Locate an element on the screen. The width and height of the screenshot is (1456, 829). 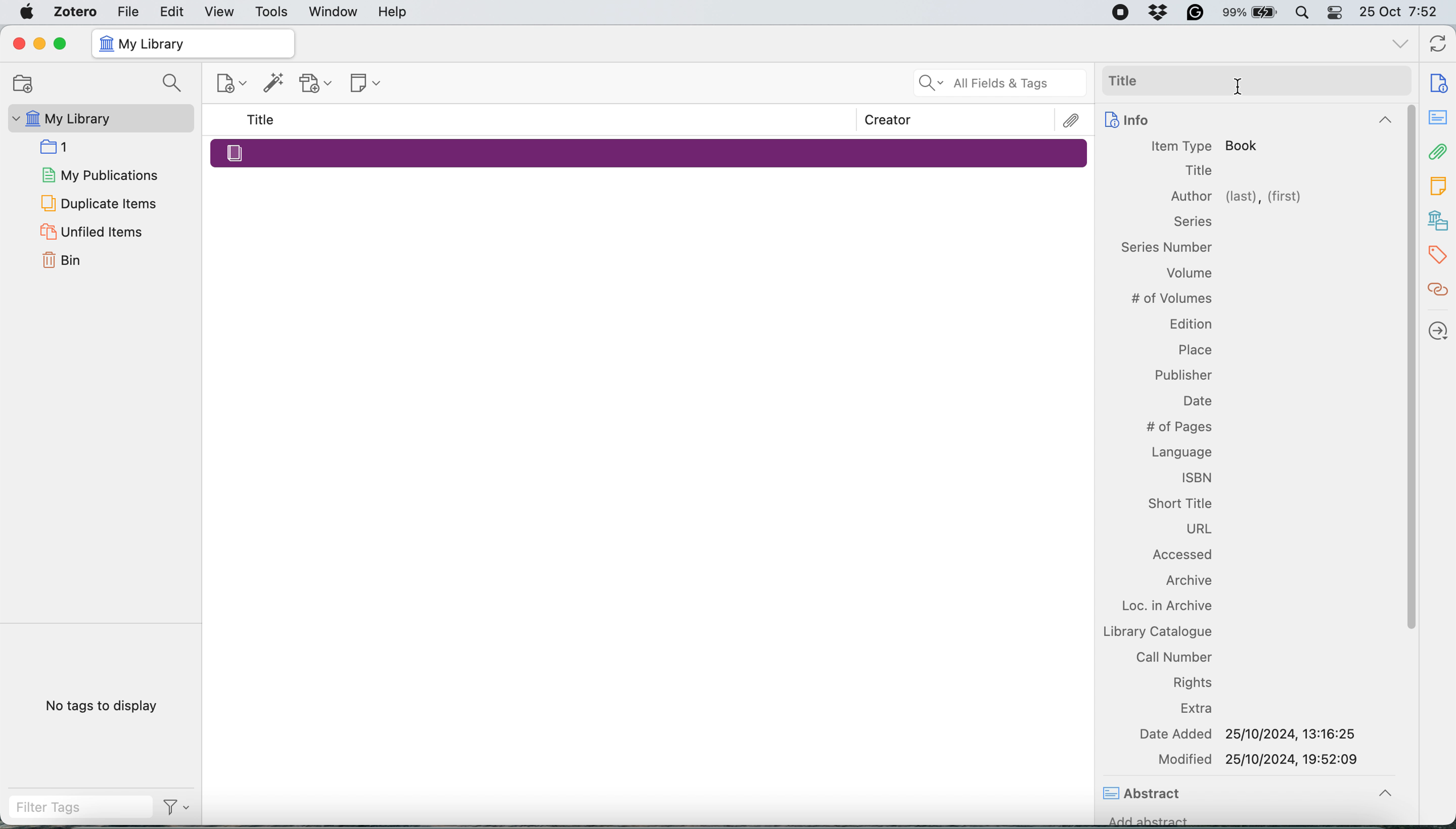
Rights is located at coordinates (1194, 682).